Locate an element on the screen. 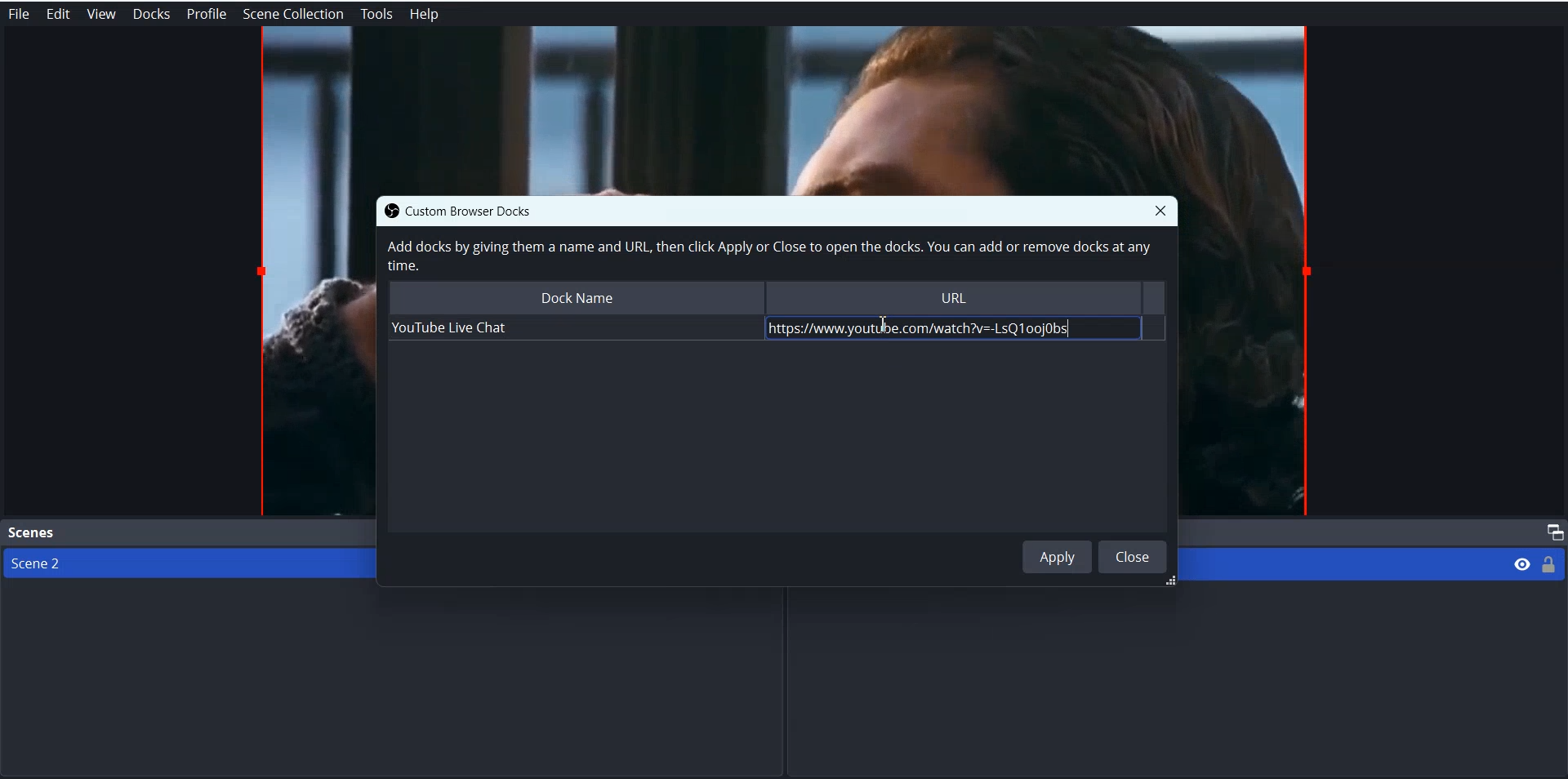 Image resolution: width=1568 pixels, height=779 pixels. Text Cursor is located at coordinates (884, 323).